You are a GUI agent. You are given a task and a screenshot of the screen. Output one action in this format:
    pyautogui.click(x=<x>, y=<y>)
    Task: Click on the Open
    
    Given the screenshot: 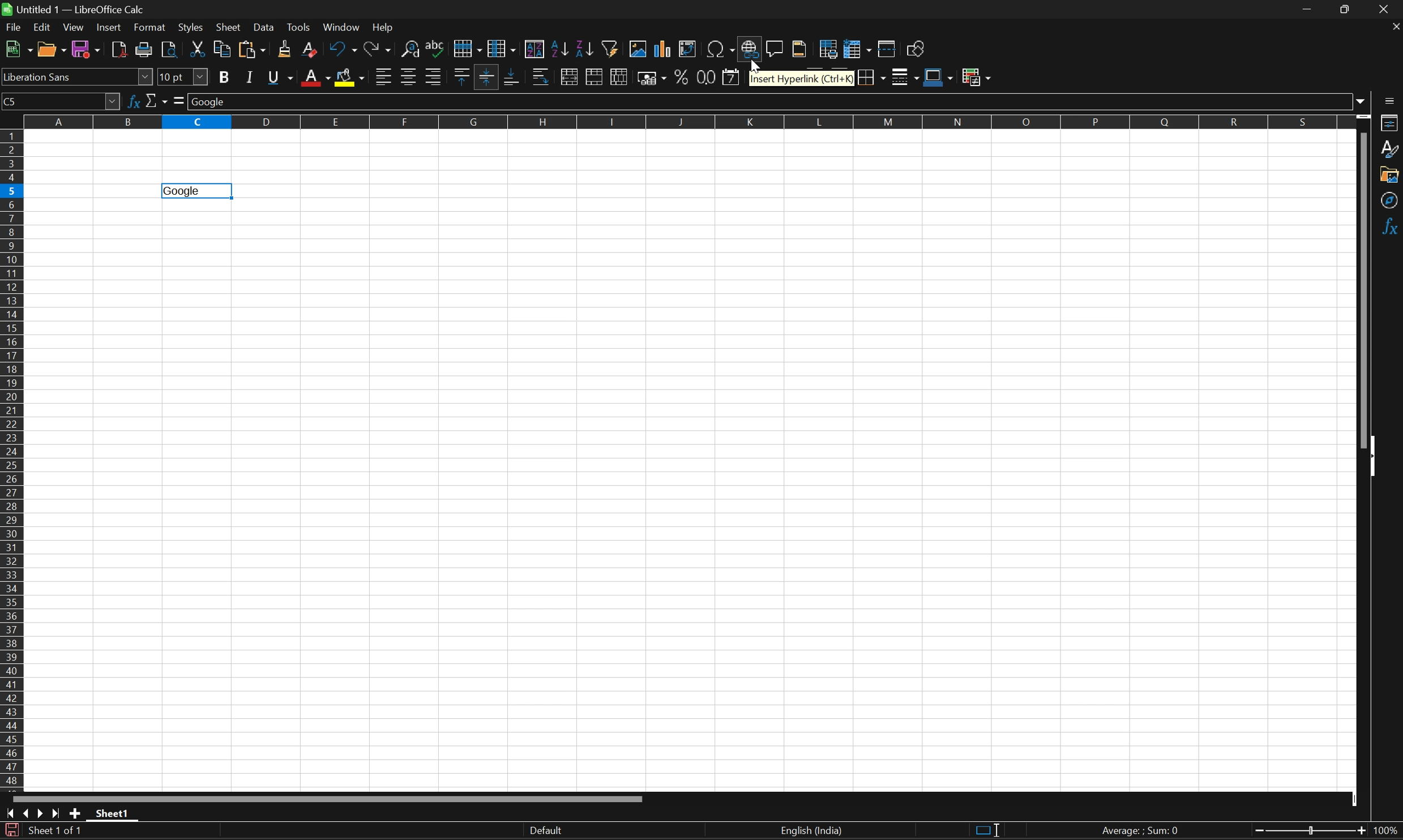 What is the action you would take?
    pyautogui.click(x=52, y=49)
    